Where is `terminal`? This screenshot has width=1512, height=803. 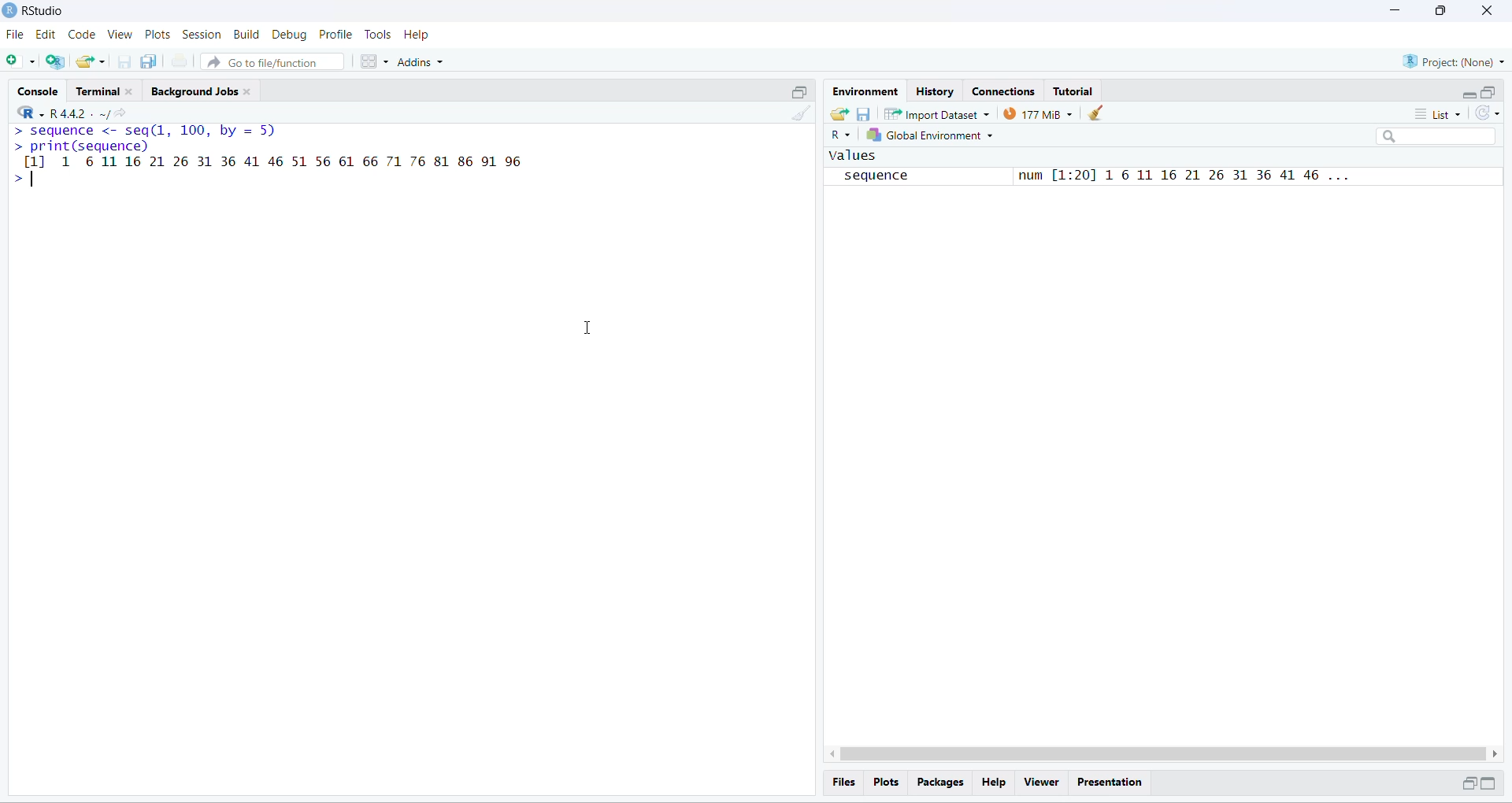 terminal is located at coordinates (98, 91).